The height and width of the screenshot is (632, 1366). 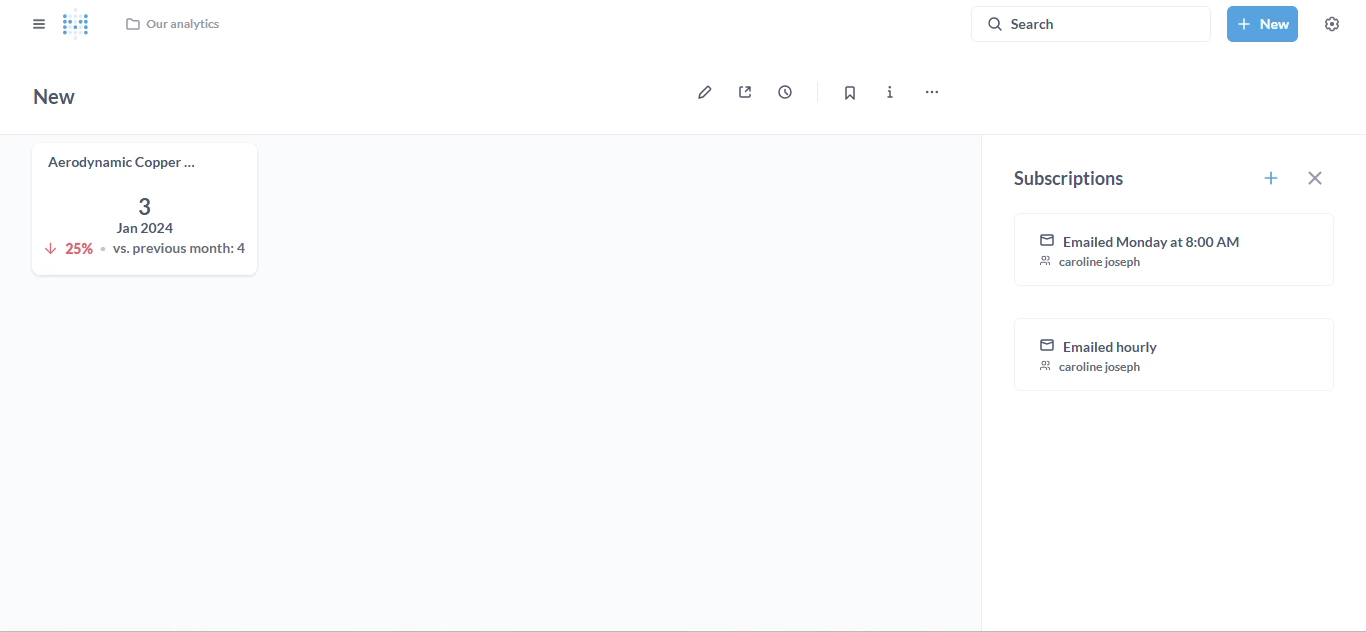 What do you see at coordinates (700, 92) in the screenshot?
I see `edit dashboard` at bounding box center [700, 92].